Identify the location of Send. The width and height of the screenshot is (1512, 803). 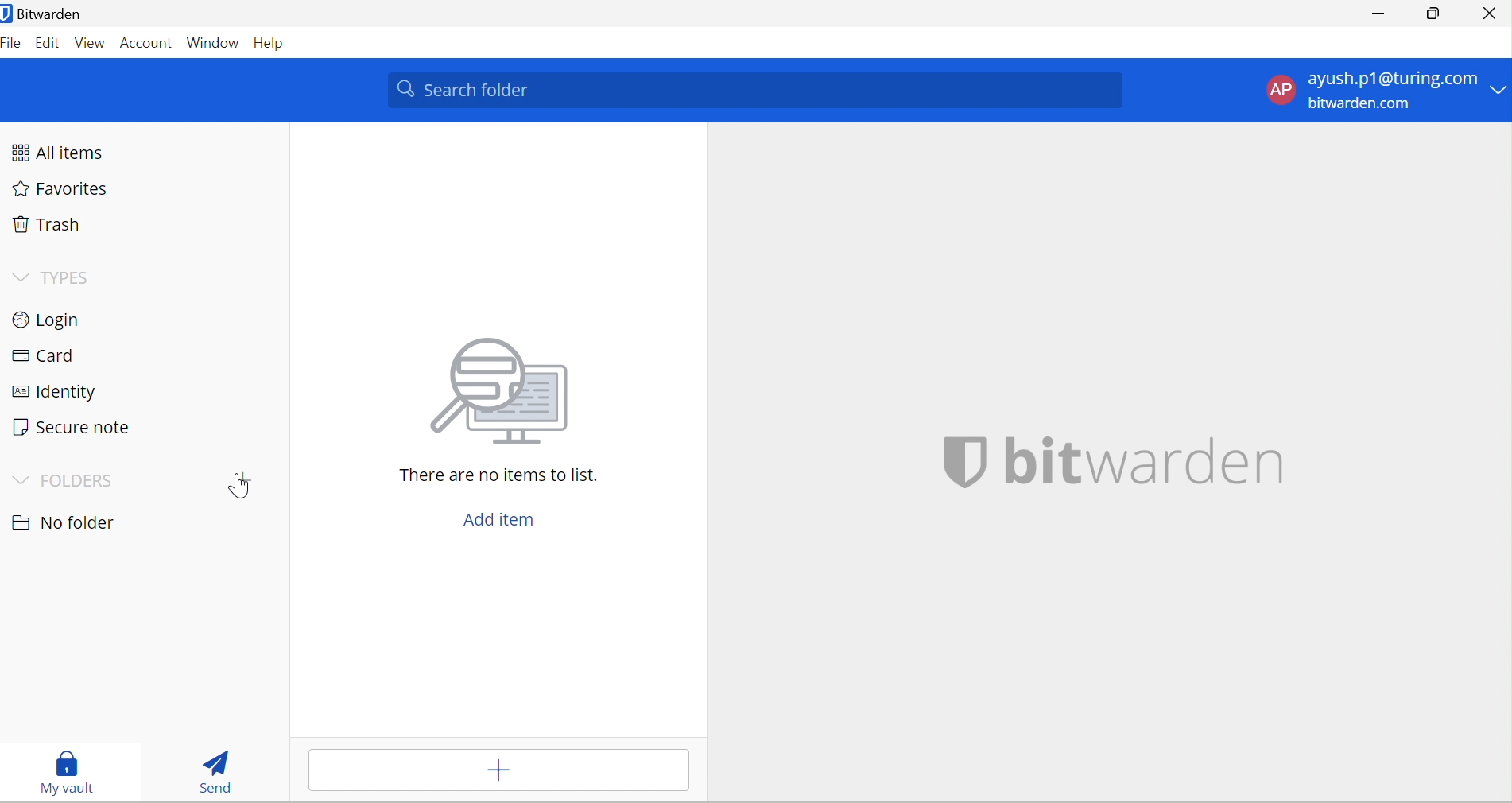
(221, 769).